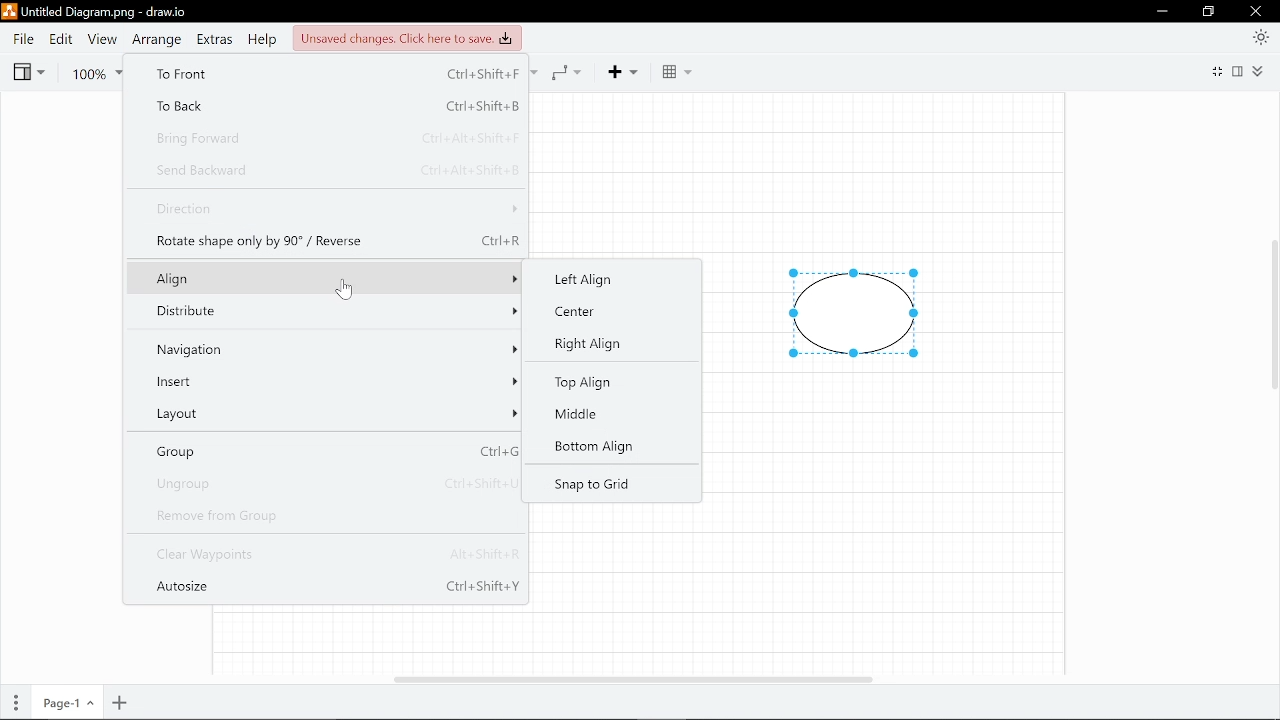  I want to click on Arrange, so click(155, 39).